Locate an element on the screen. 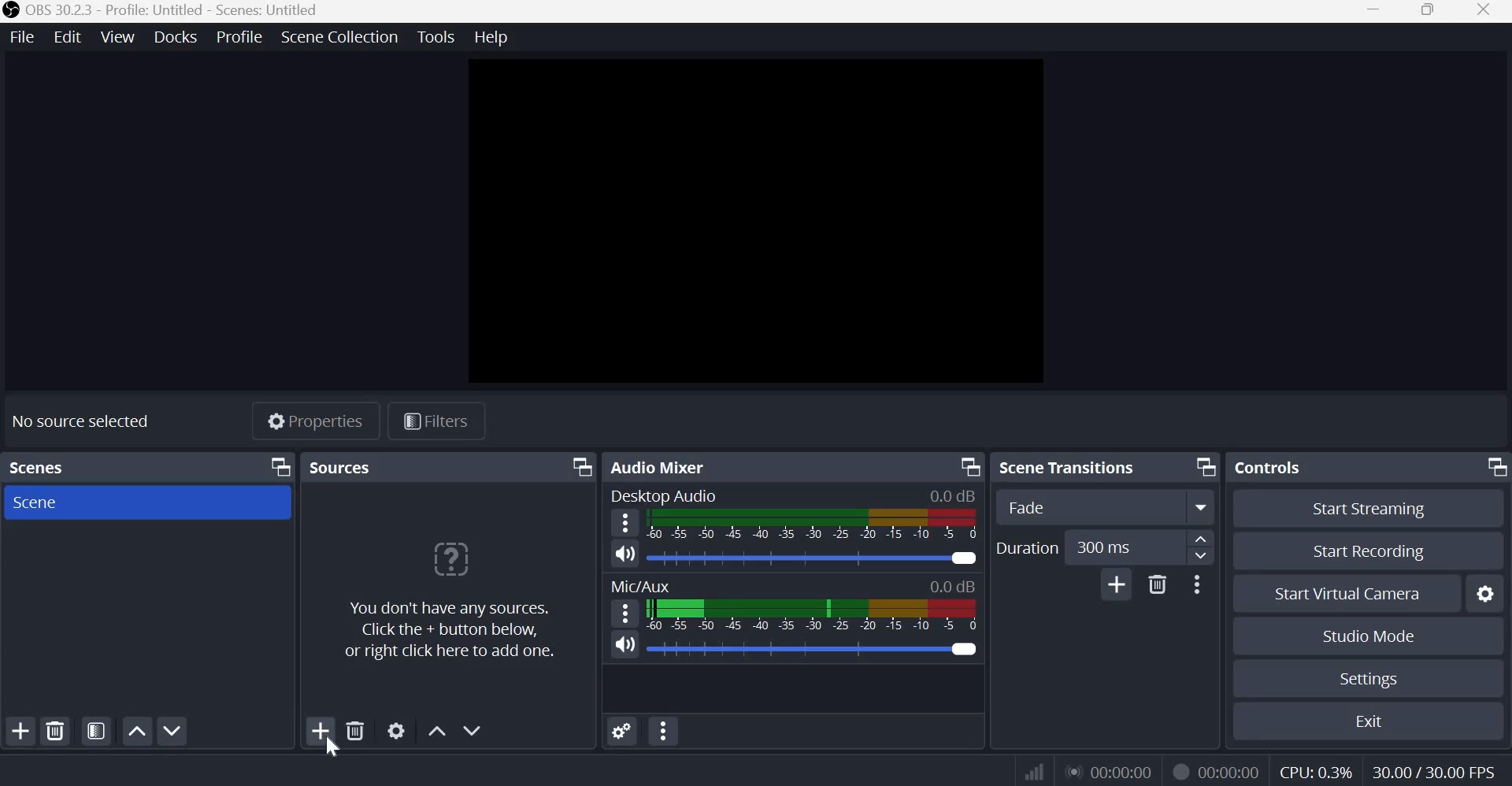 The width and height of the screenshot is (1512, 786). Scene is located at coordinates (35, 502).